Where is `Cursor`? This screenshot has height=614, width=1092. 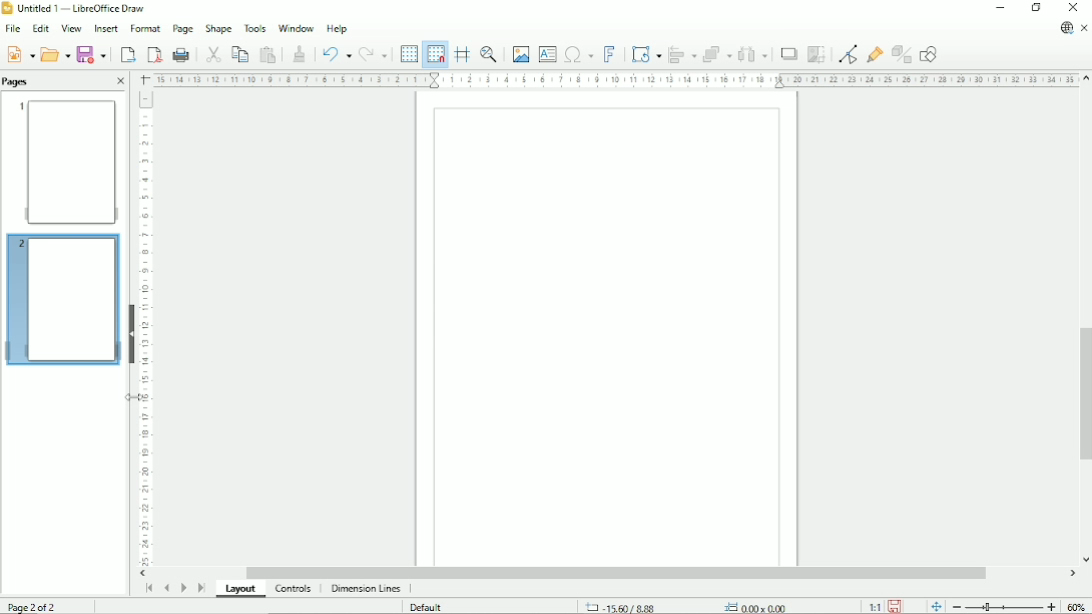 Cursor is located at coordinates (137, 397).